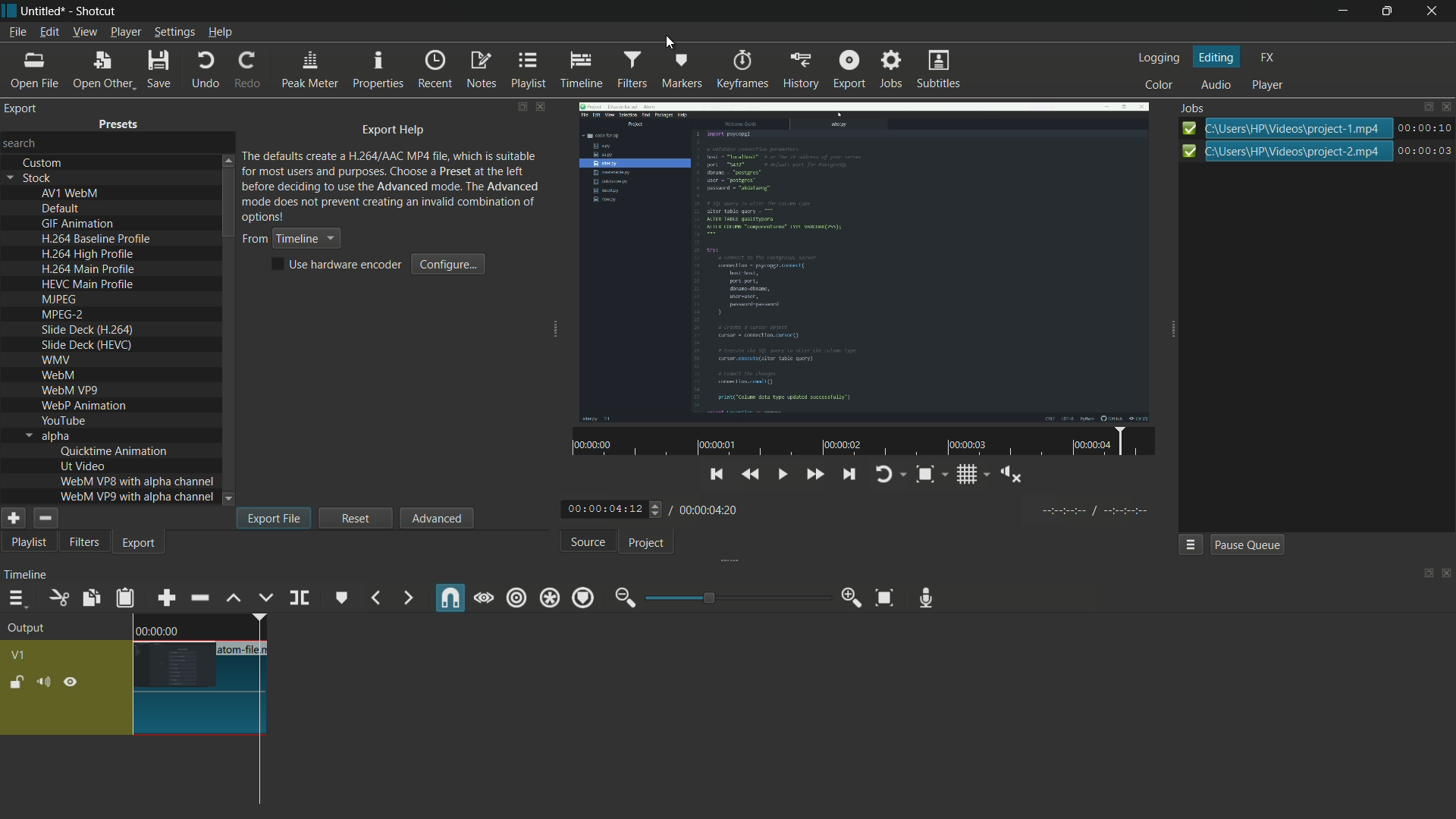 Image resolution: width=1456 pixels, height=819 pixels. I want to click on create or edit marker, so click(340, 599).